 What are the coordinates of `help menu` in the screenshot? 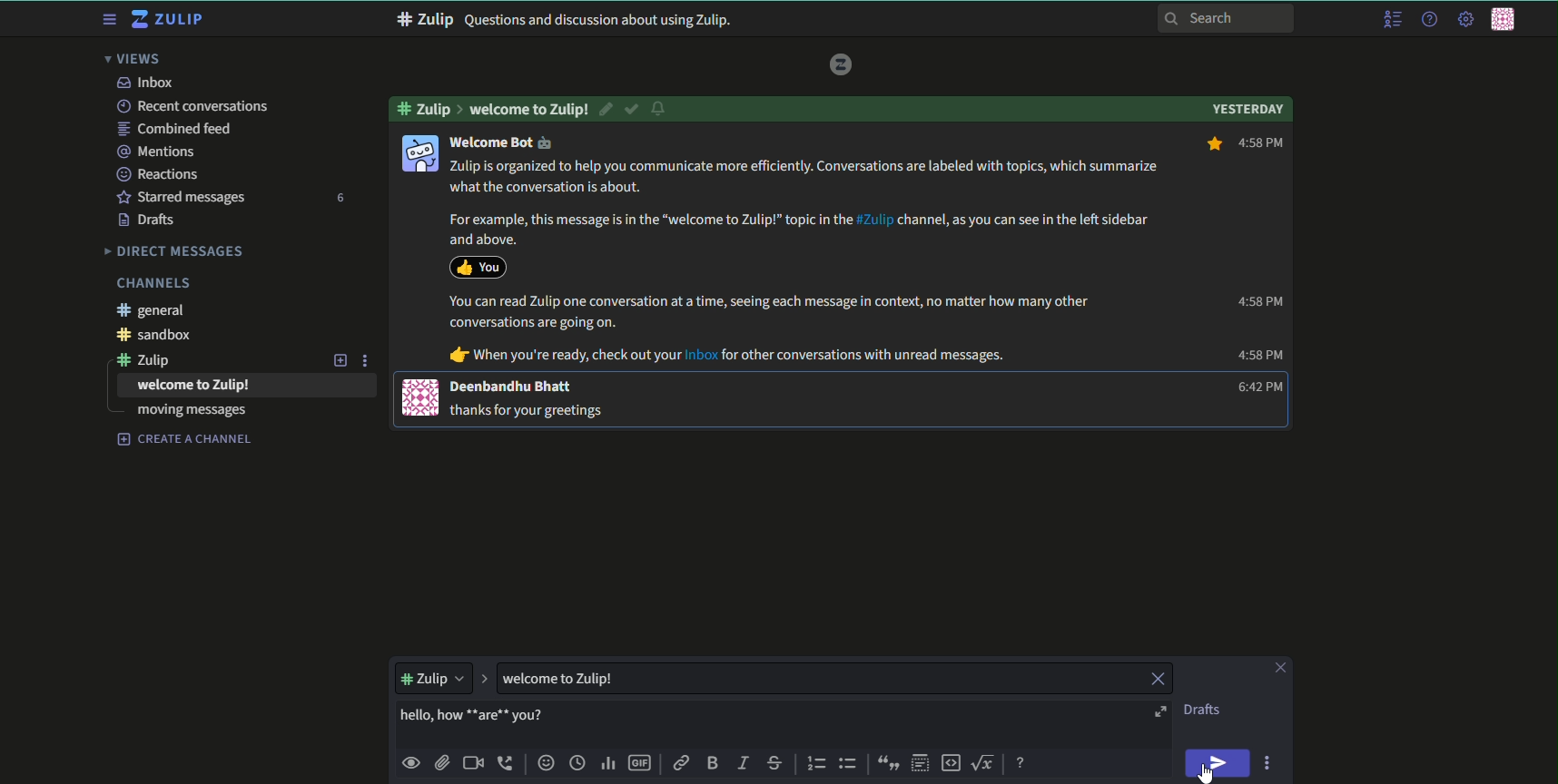 It's located at (1427, 20).